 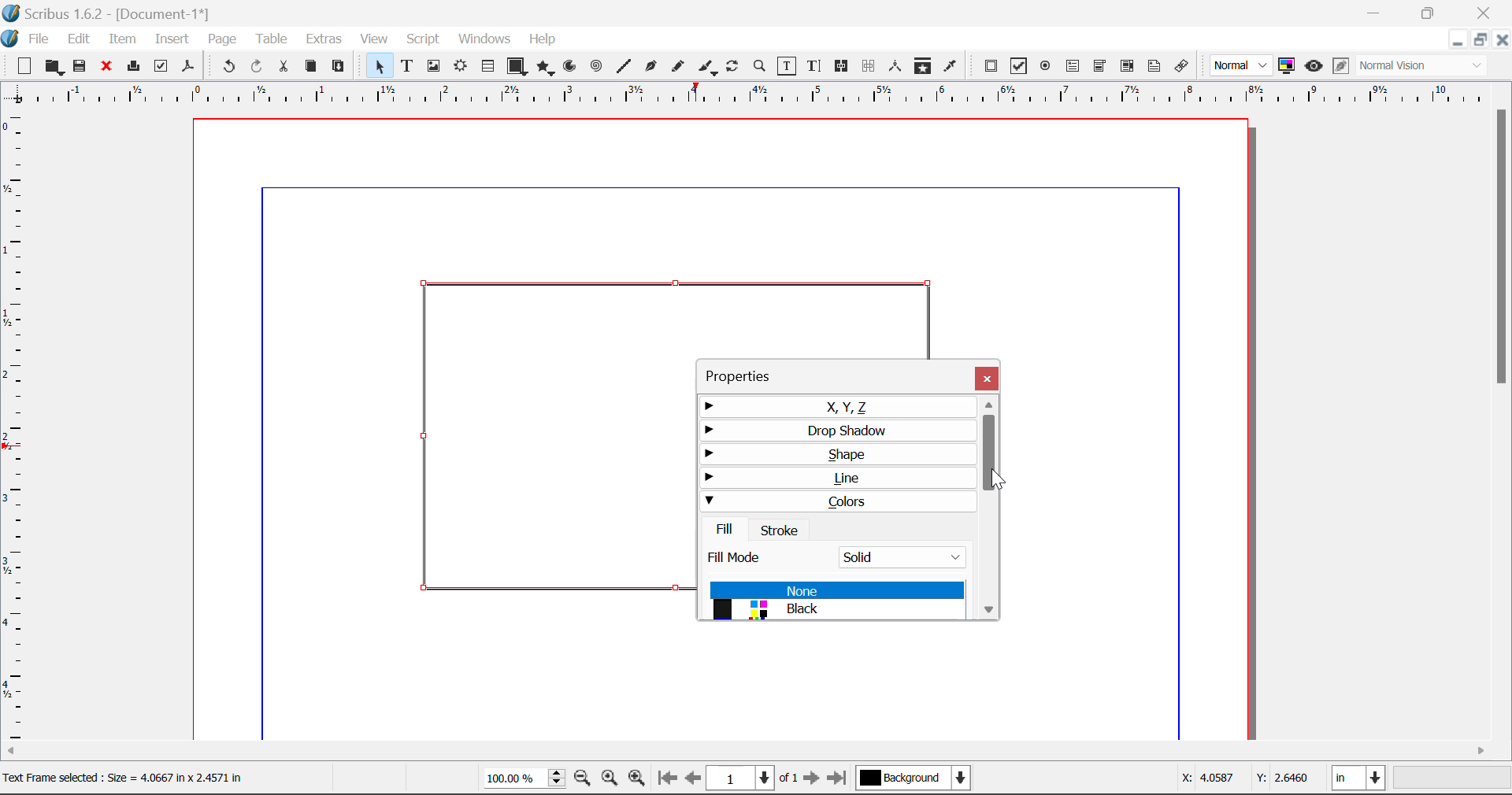 What do you see at coordinates (733, 65) in the screenshot?
I see `Rotate` at bounding box center [733, 65].